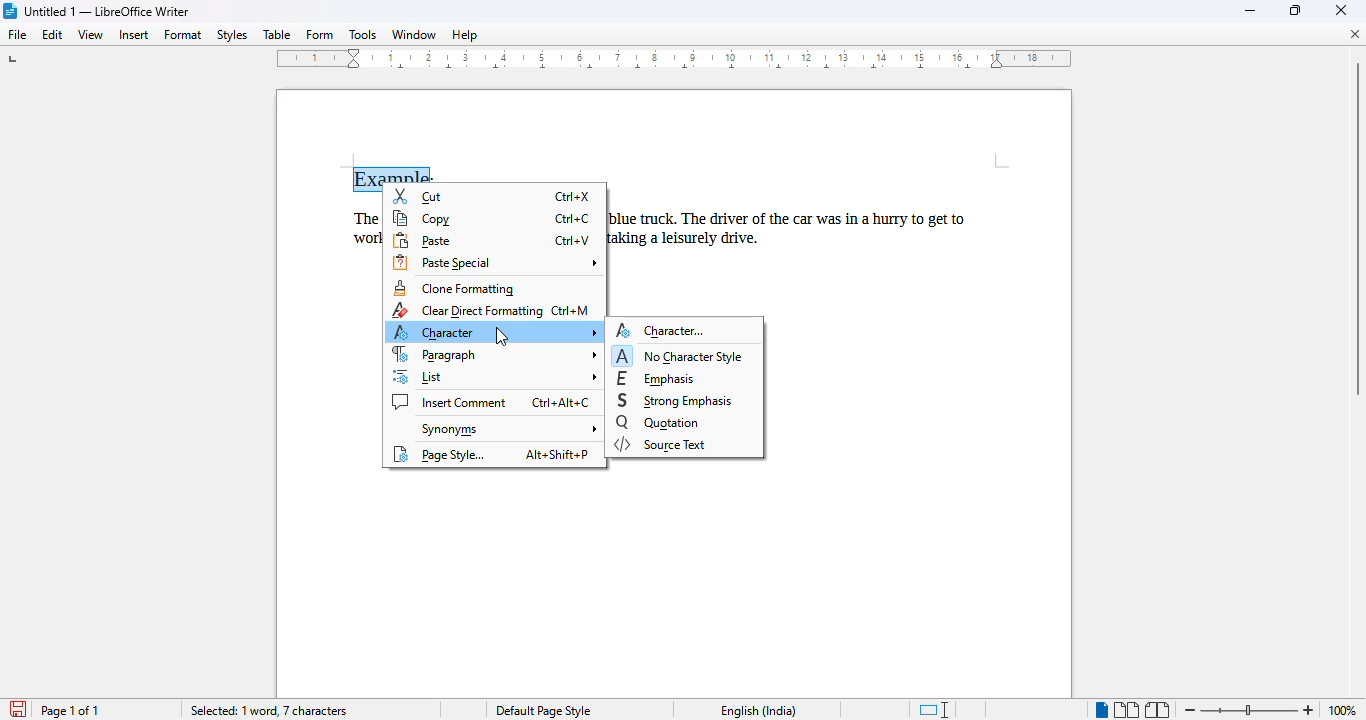 This screenshot has height=720, width=1366. I want to click on form, so click(320, 35).